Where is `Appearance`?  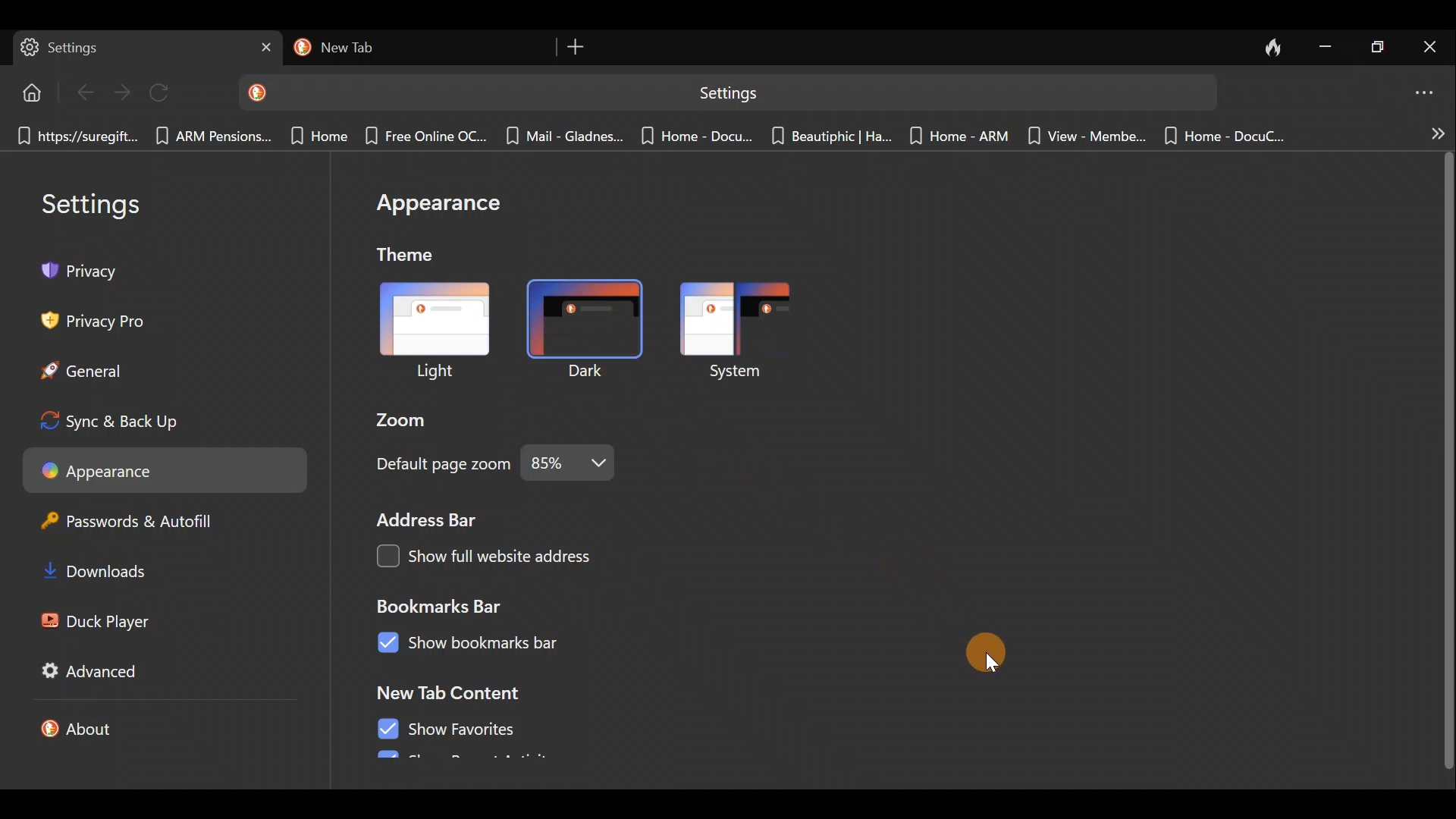
Appearance is located at coordinates (158, 467).